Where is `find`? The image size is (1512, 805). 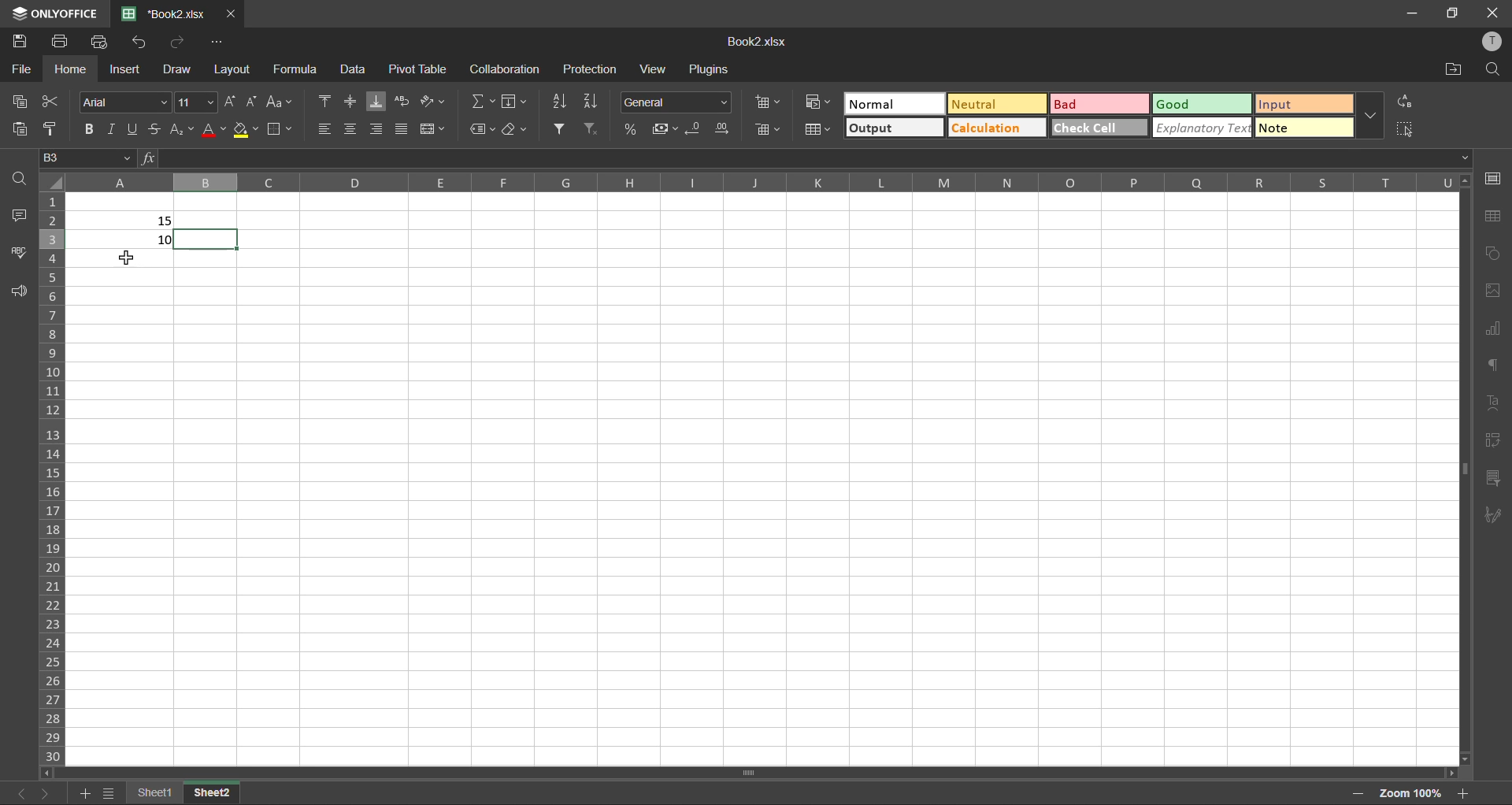 find is located at coordinates (22, 178).